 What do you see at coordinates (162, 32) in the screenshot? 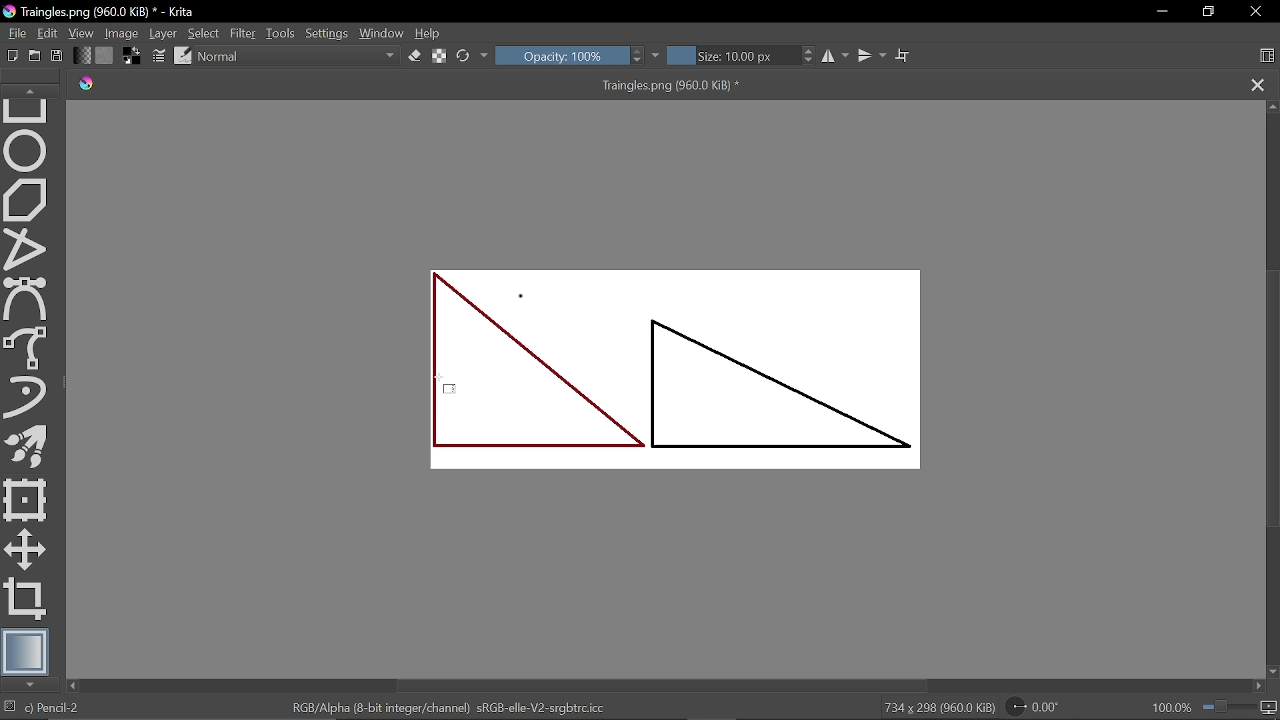
I see `Layer` at bounding box center [162, 32].